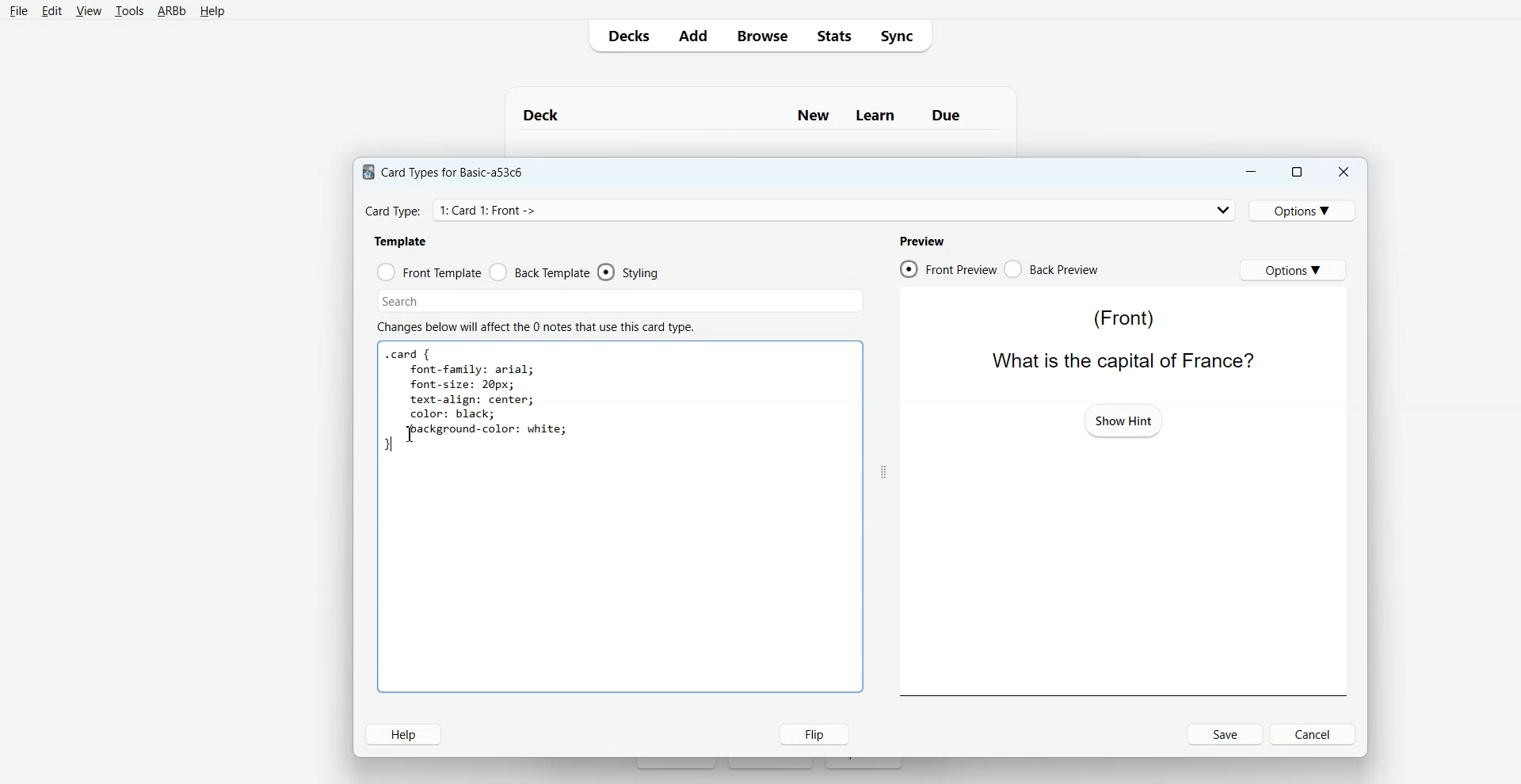 This screenshot has height=784, width=1521. Describe the element at coordinates (750, 115) in the screenshot. I see `Deck New Learn Due` at that location.